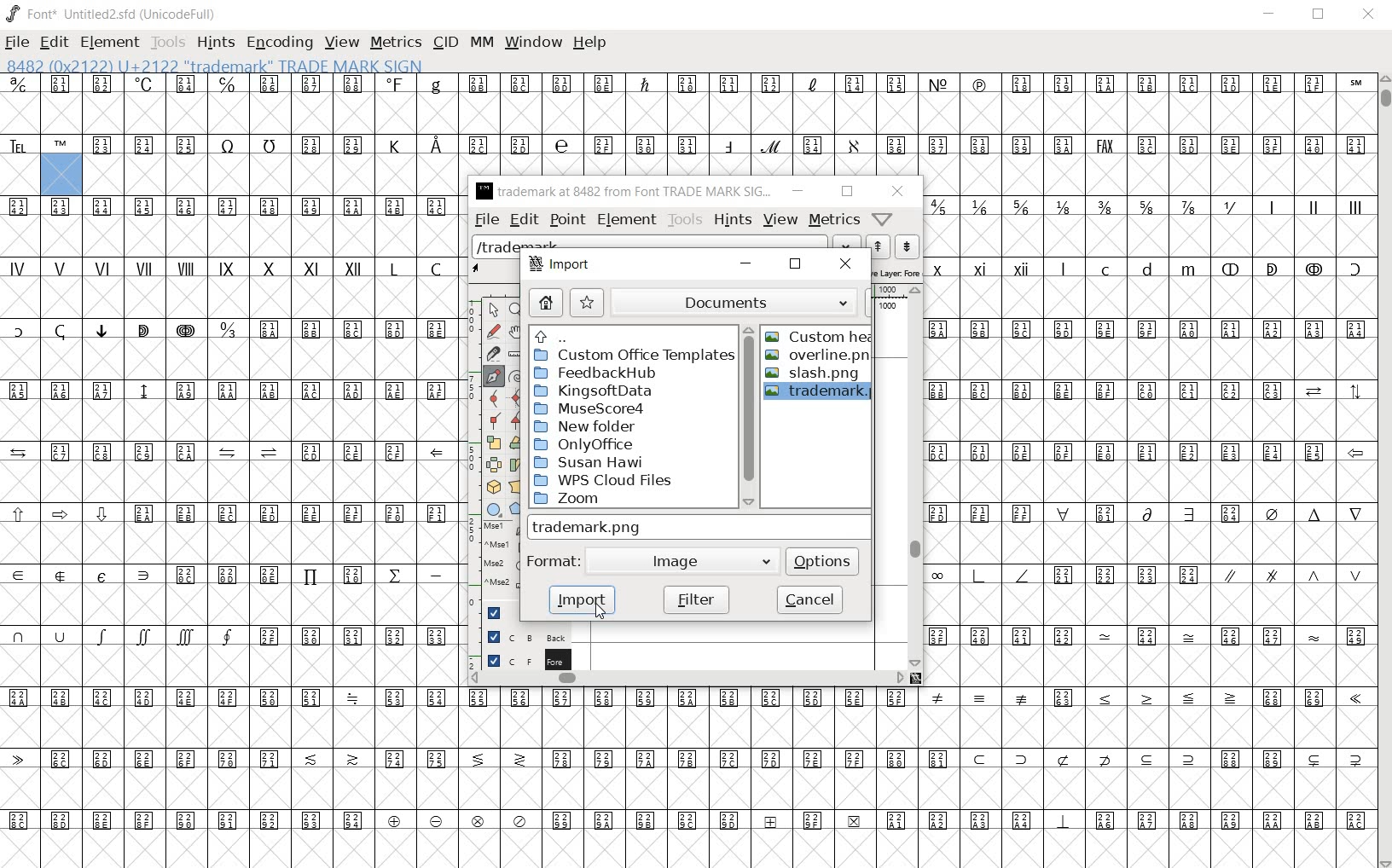  What do you see at coordinates (546, 303) in the screenshot?
I see `home` at bounding box center [546, 303].